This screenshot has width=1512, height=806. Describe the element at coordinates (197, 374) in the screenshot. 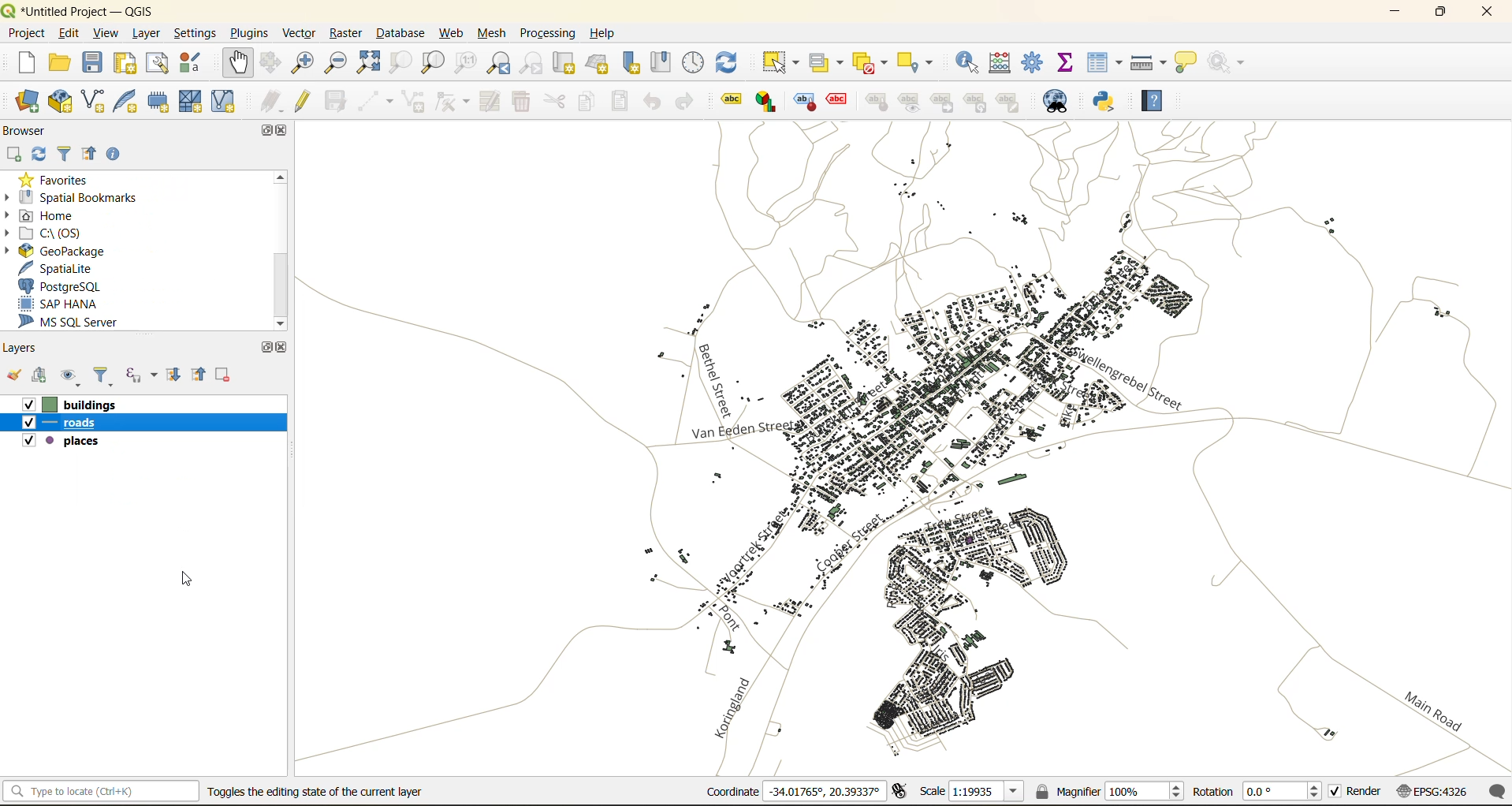

I see `collapse all` at that location.